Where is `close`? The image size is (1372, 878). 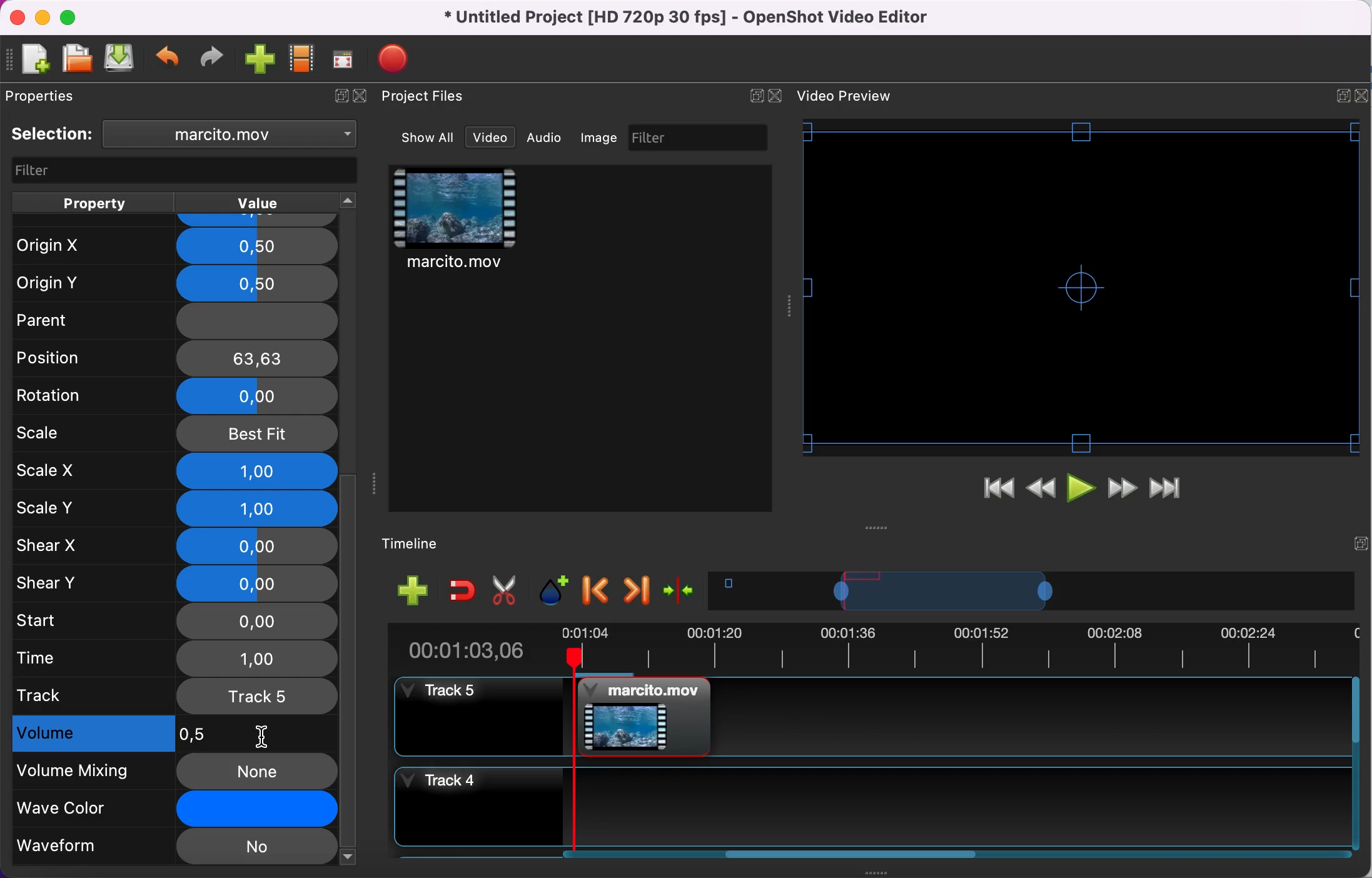
close is located at coordinates (17, 18).